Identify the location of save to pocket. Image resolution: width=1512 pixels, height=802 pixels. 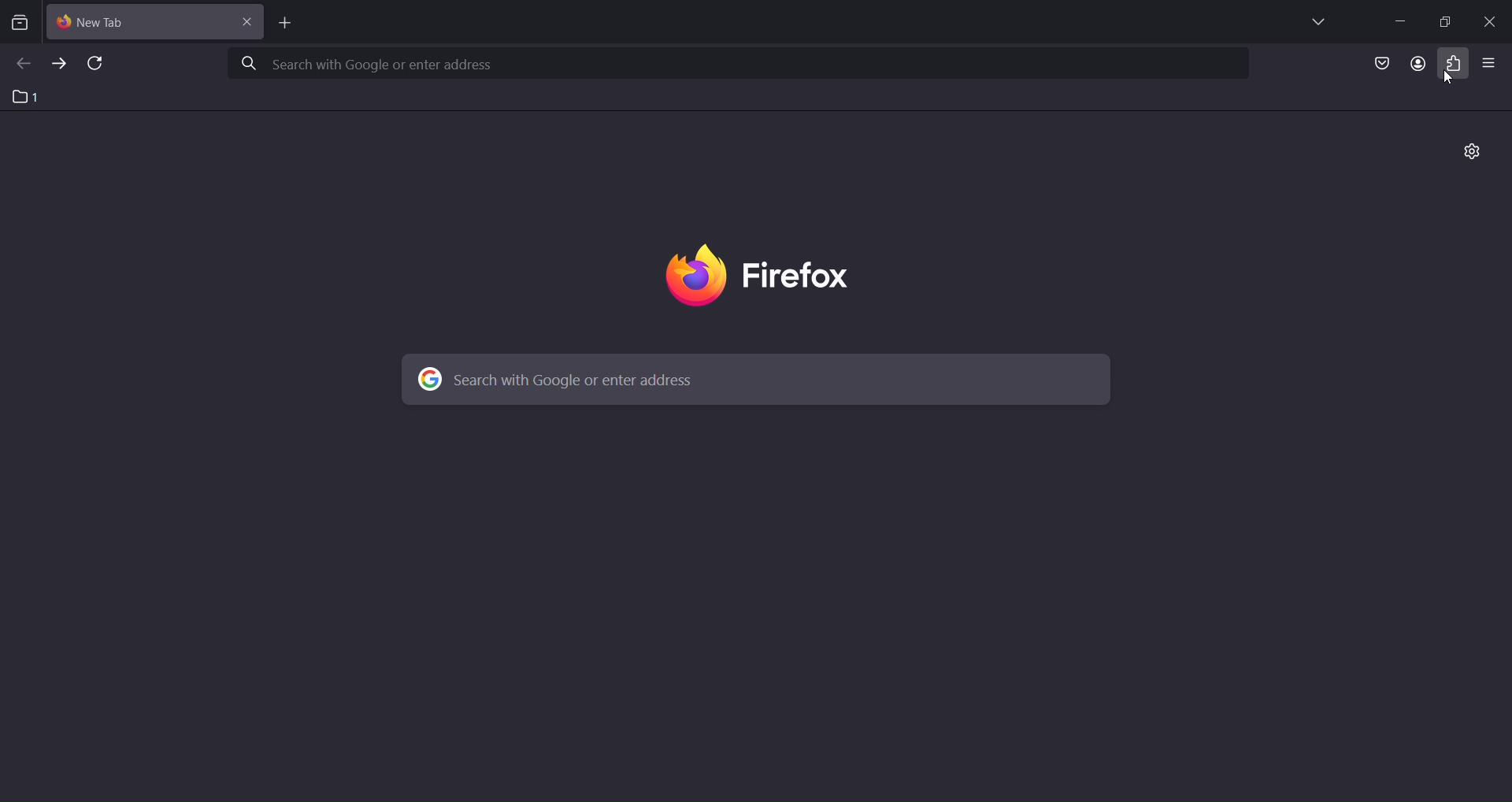
(1380, 64).